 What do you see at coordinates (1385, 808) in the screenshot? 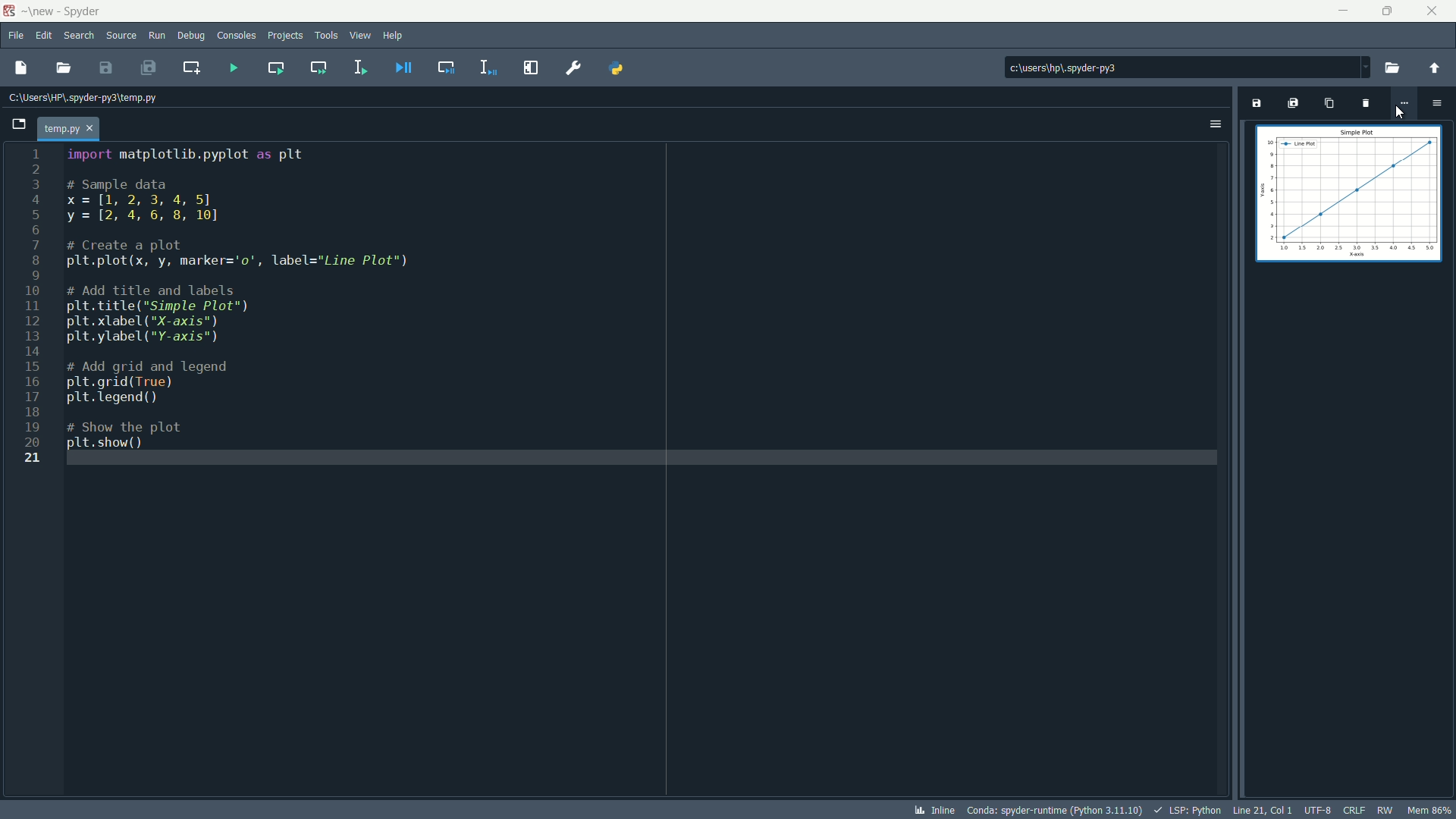
I see `rw` at bounding box center [1385, 808].